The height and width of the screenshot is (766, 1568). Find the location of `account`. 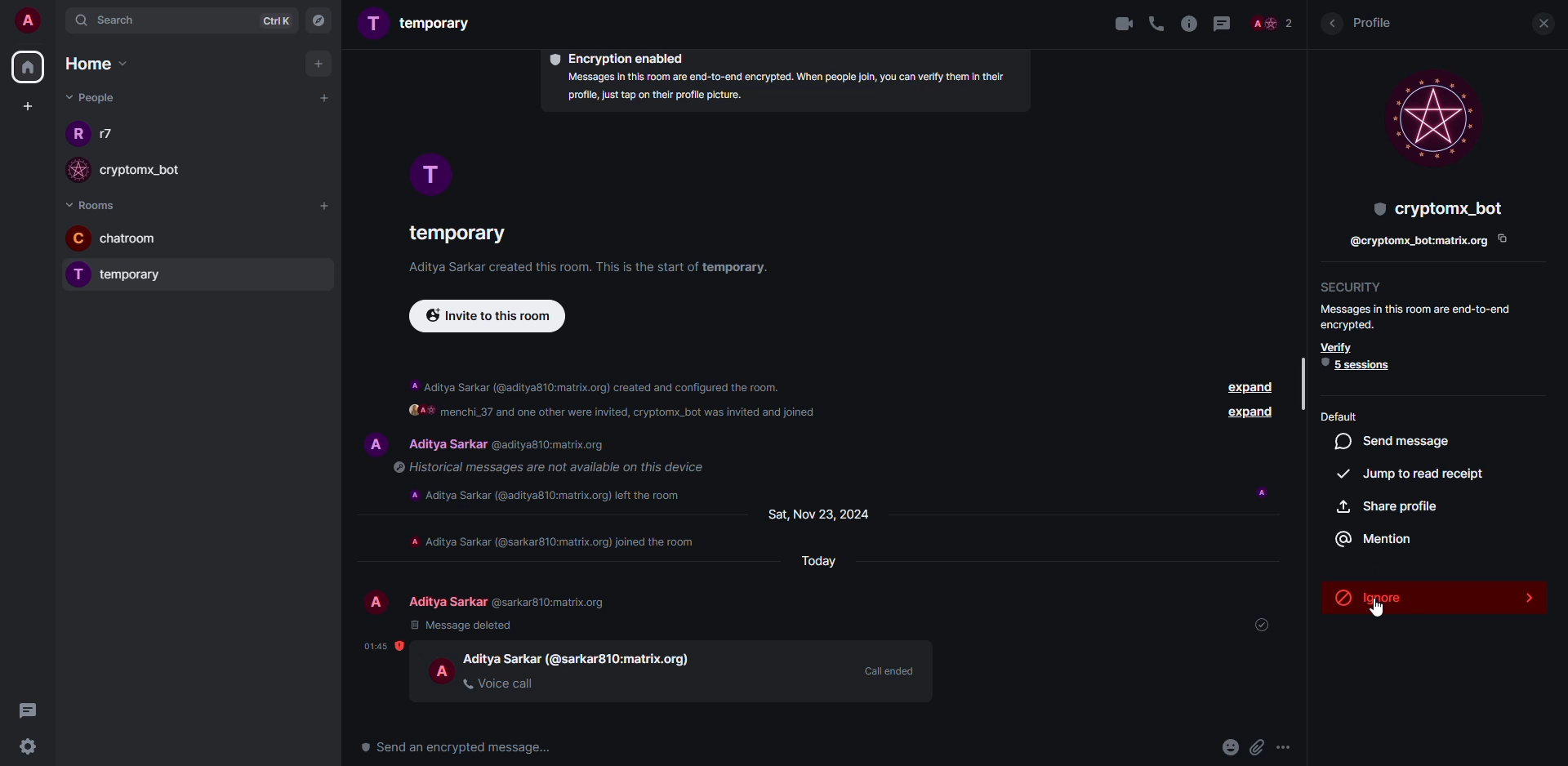

account is located at coordinates (29, 22).